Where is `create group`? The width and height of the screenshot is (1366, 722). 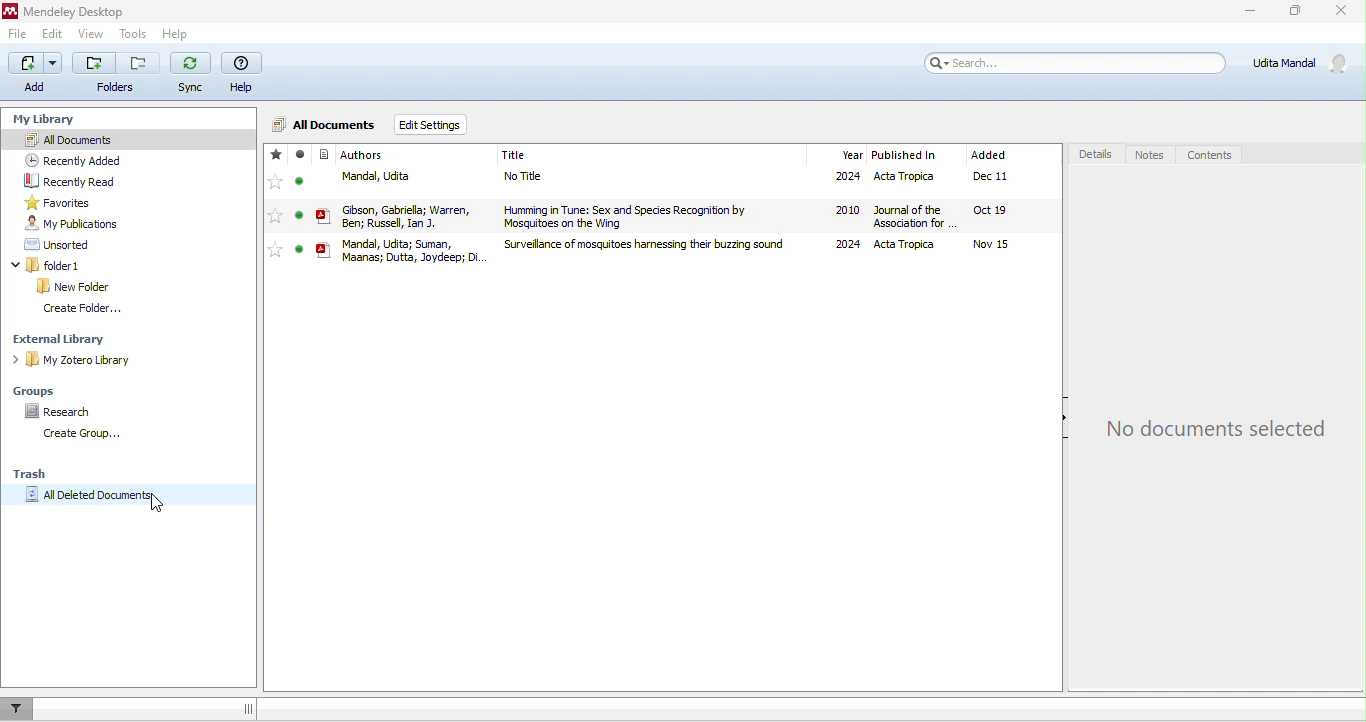
create group is located at coordinates (77, 434).